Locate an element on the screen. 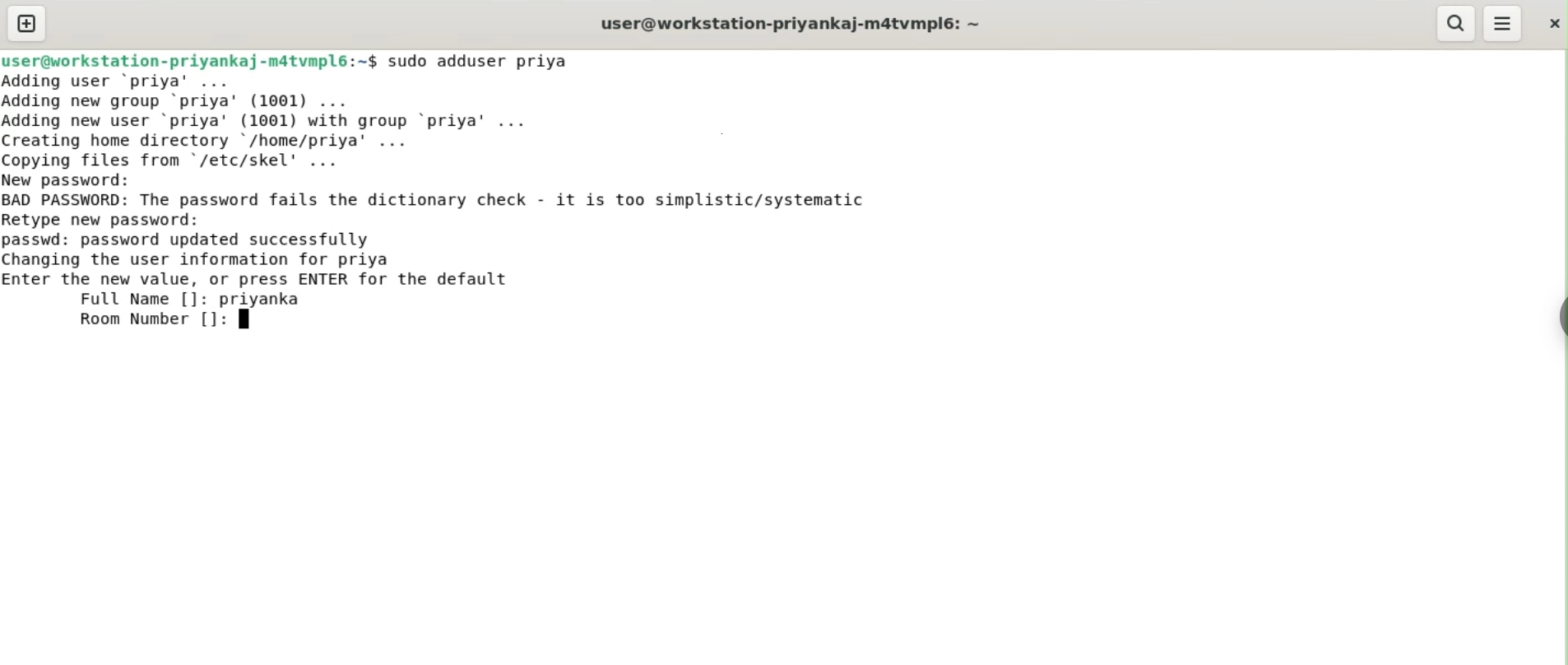 Image resolution: width=1568 pixels, height=665 pixels. close is located at coordinates (1552, 23).